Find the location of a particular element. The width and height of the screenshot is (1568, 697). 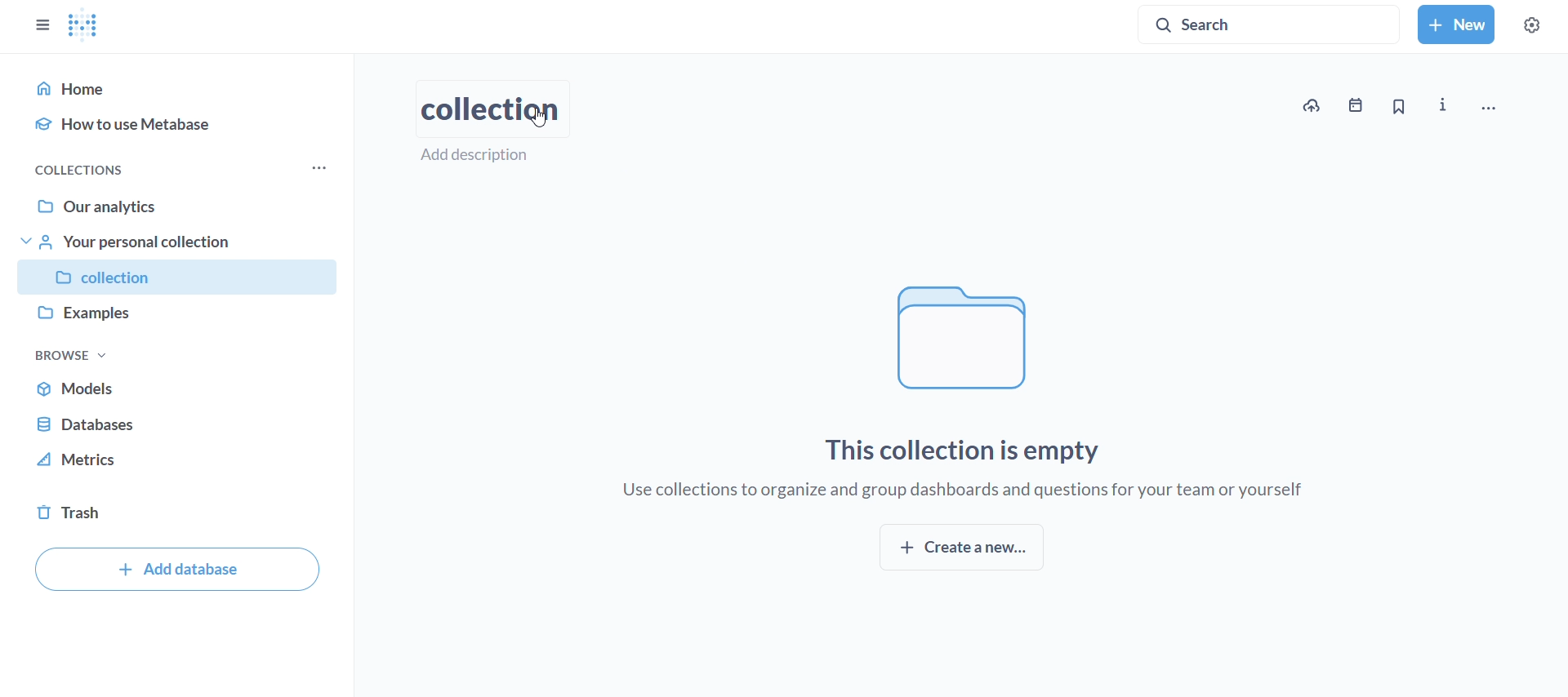

our analytics is located at coordinates (180, 206).